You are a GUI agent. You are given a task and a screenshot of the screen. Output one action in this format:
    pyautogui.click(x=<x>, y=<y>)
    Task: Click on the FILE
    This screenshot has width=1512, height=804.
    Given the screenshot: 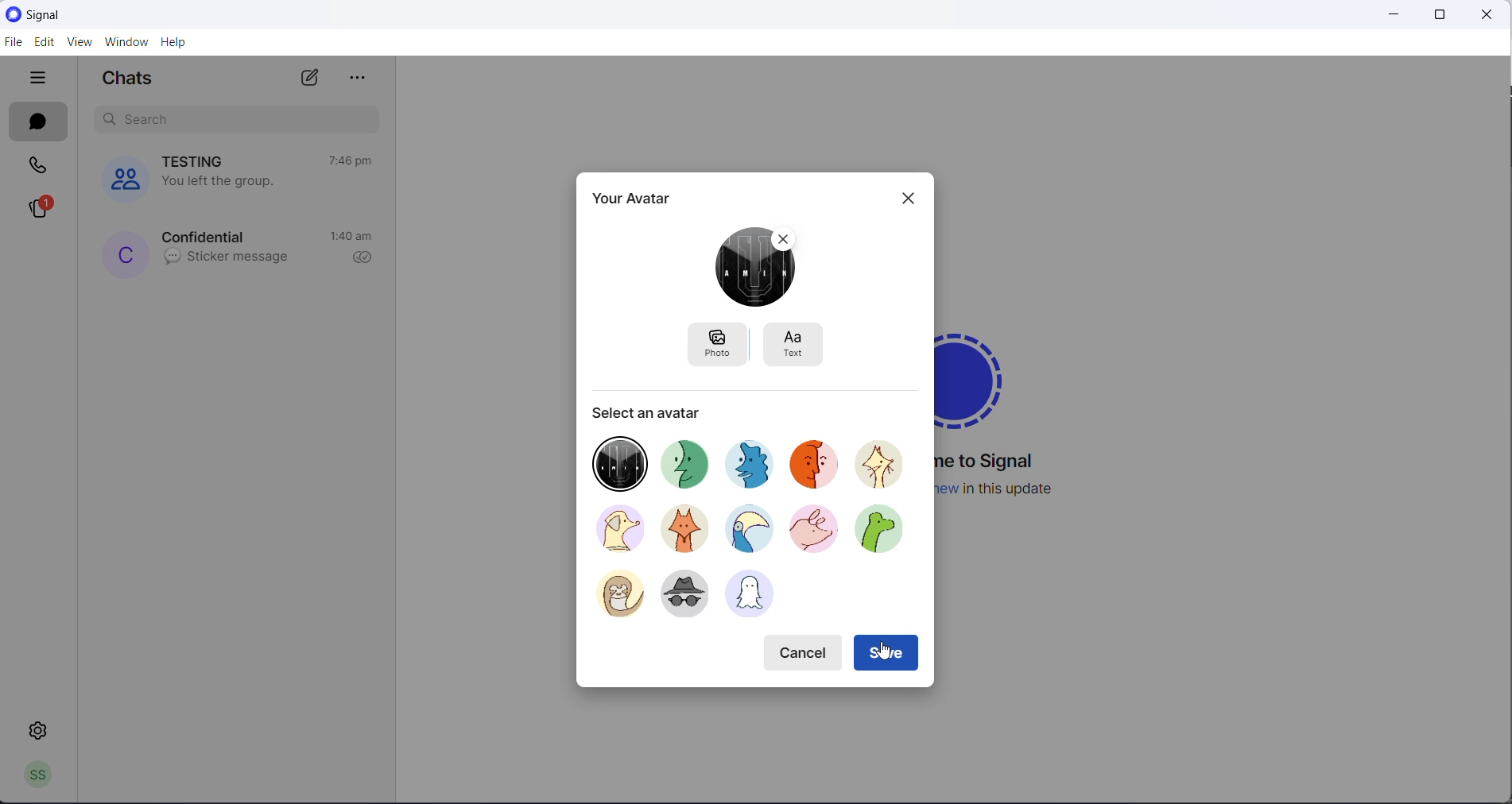 What is the action you would take?
    pyautogui.click(x=12, y=41)
    